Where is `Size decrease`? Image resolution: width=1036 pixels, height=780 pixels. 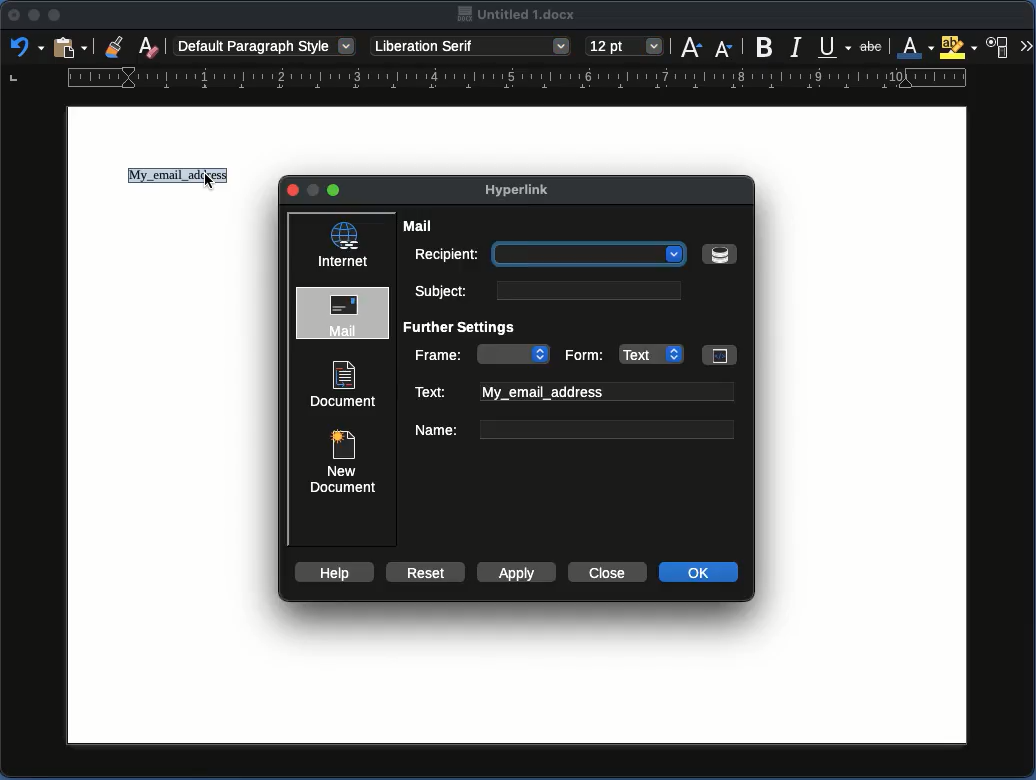 Size decrease is located at coordinates (723, 49).